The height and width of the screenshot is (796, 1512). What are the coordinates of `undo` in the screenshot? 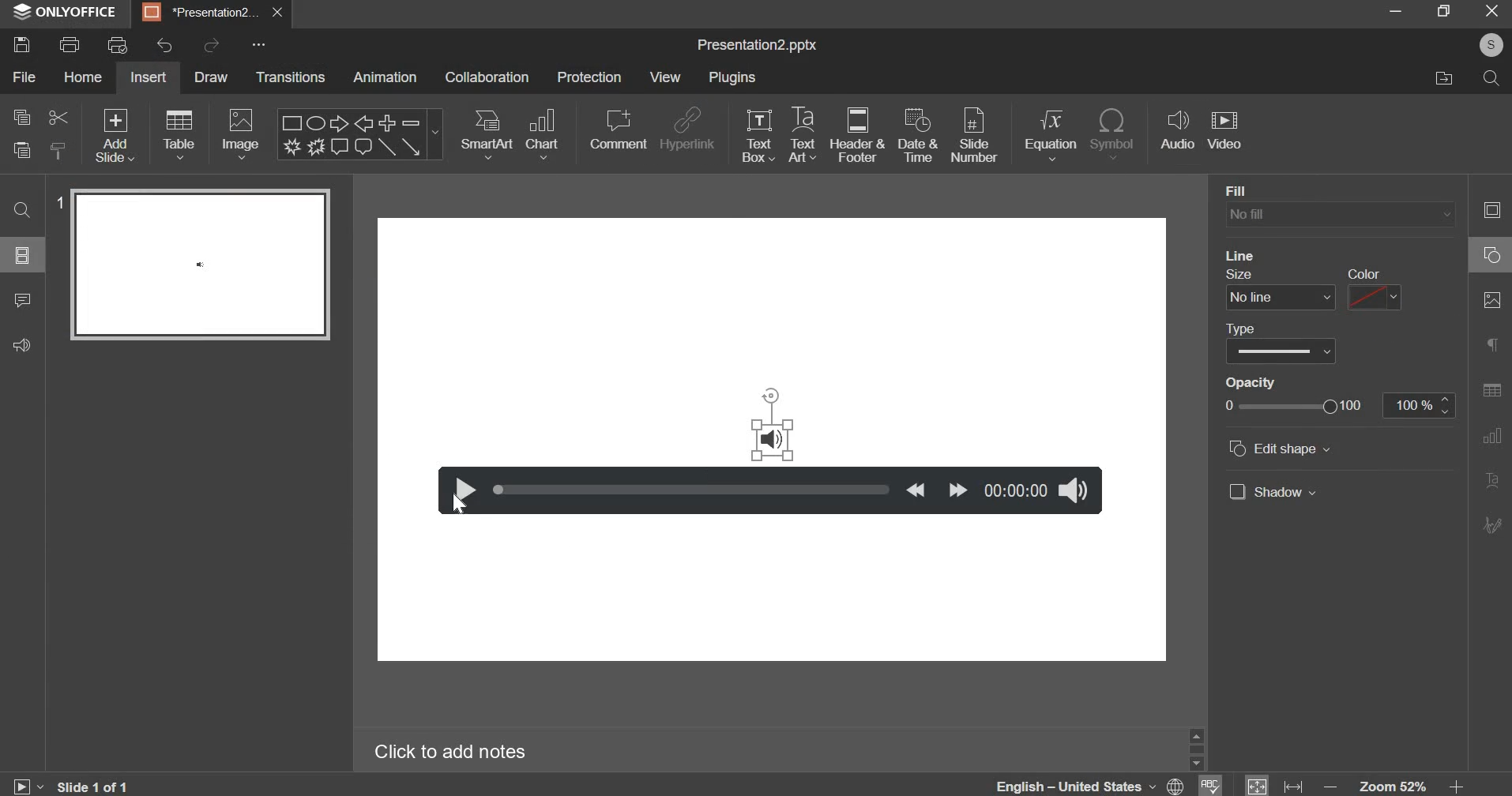 It's located at (160, 46).